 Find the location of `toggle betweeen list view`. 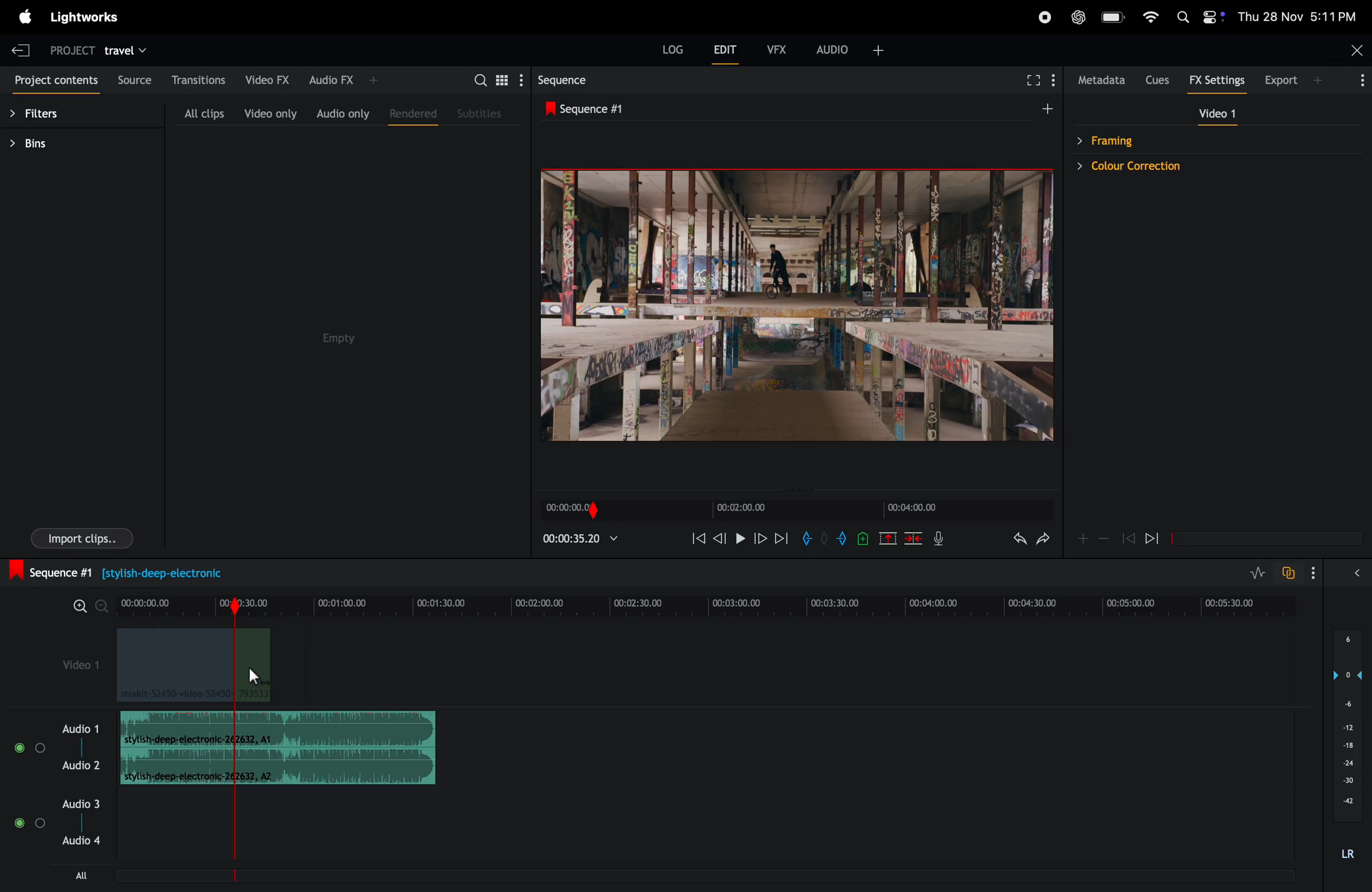

toggle betweeen list view is located at coordinates (504, 80).